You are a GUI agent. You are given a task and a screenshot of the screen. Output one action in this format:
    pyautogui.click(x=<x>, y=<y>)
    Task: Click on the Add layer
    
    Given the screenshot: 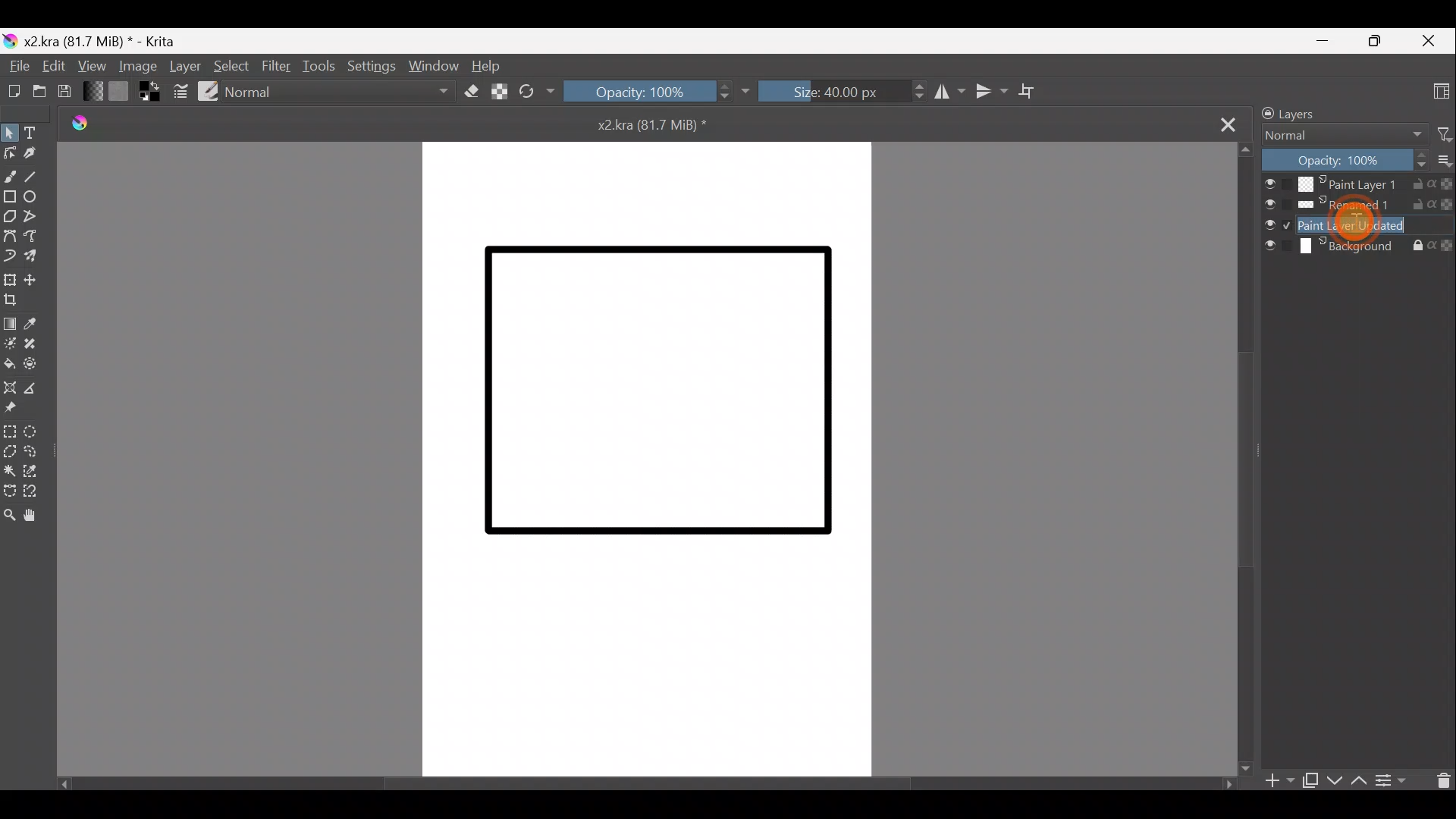 What is the action you would take?
    pyautogui.click(x=1276, y=784)
    